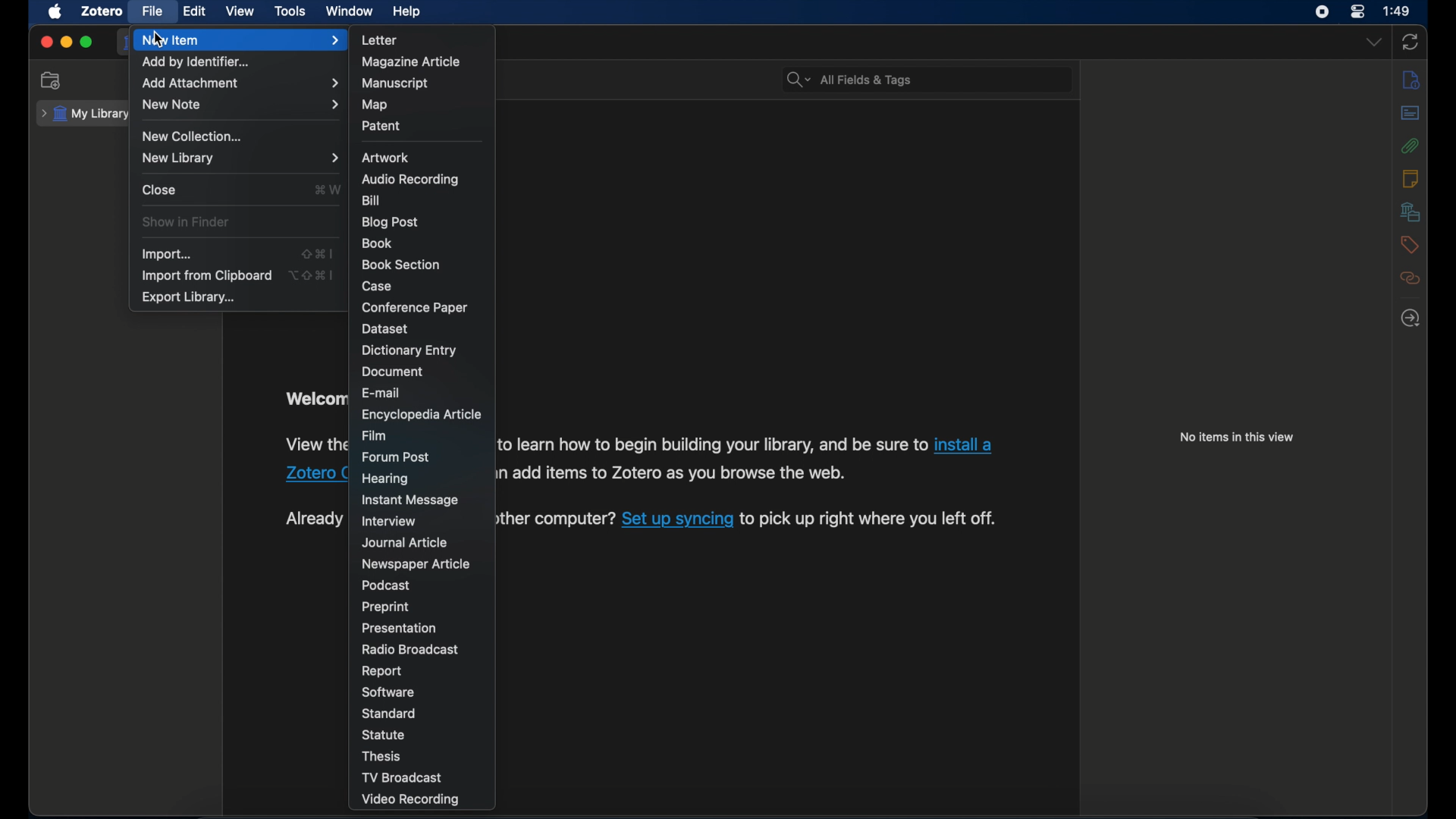 This screenshot has height=819, width=1456. Describe the element at coordinates (391, 222) in the screenshot. I see `blog post` at that location.